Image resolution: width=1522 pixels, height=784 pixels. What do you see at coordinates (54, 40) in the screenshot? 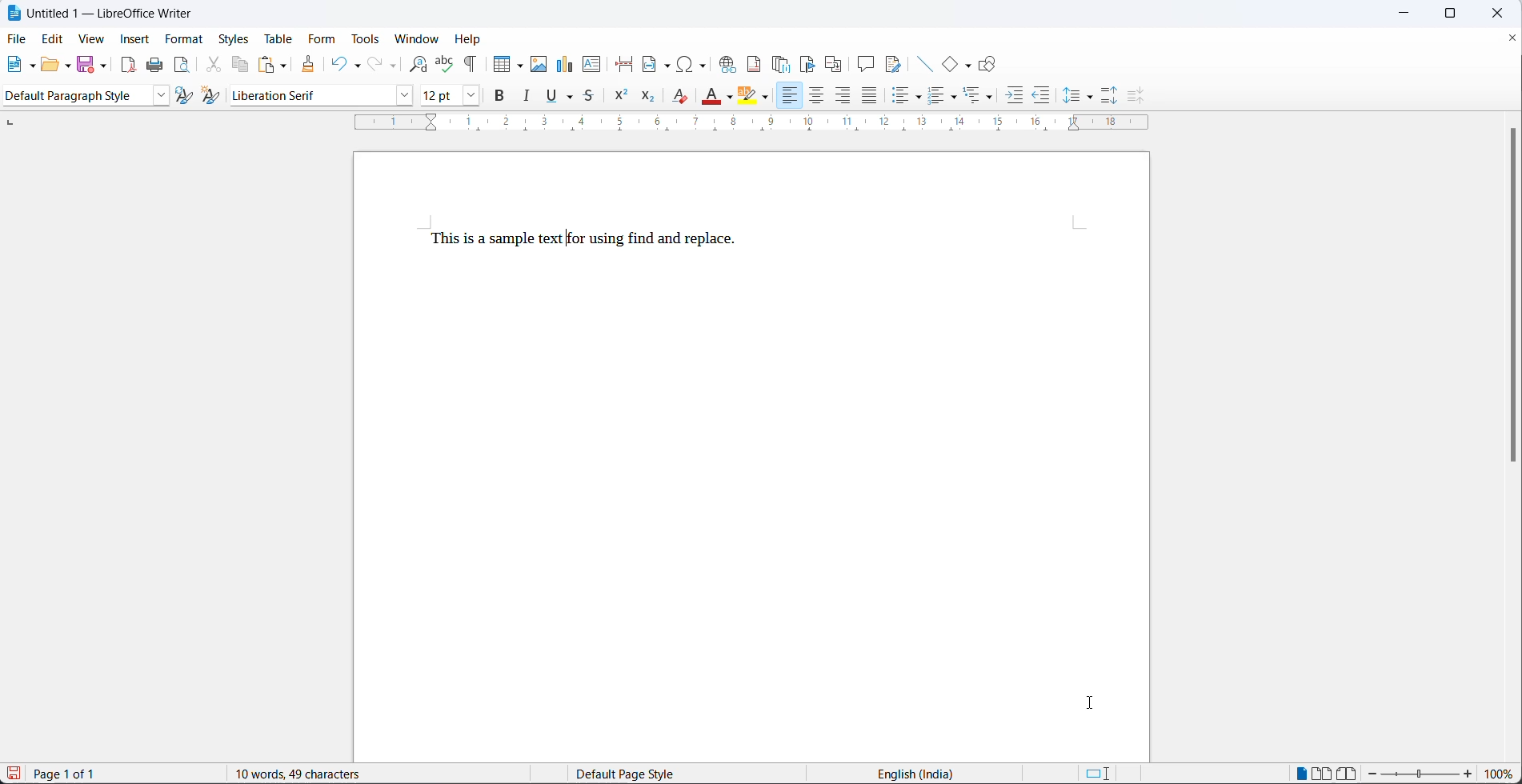
I see `edit` at bounding box center [54, 40].